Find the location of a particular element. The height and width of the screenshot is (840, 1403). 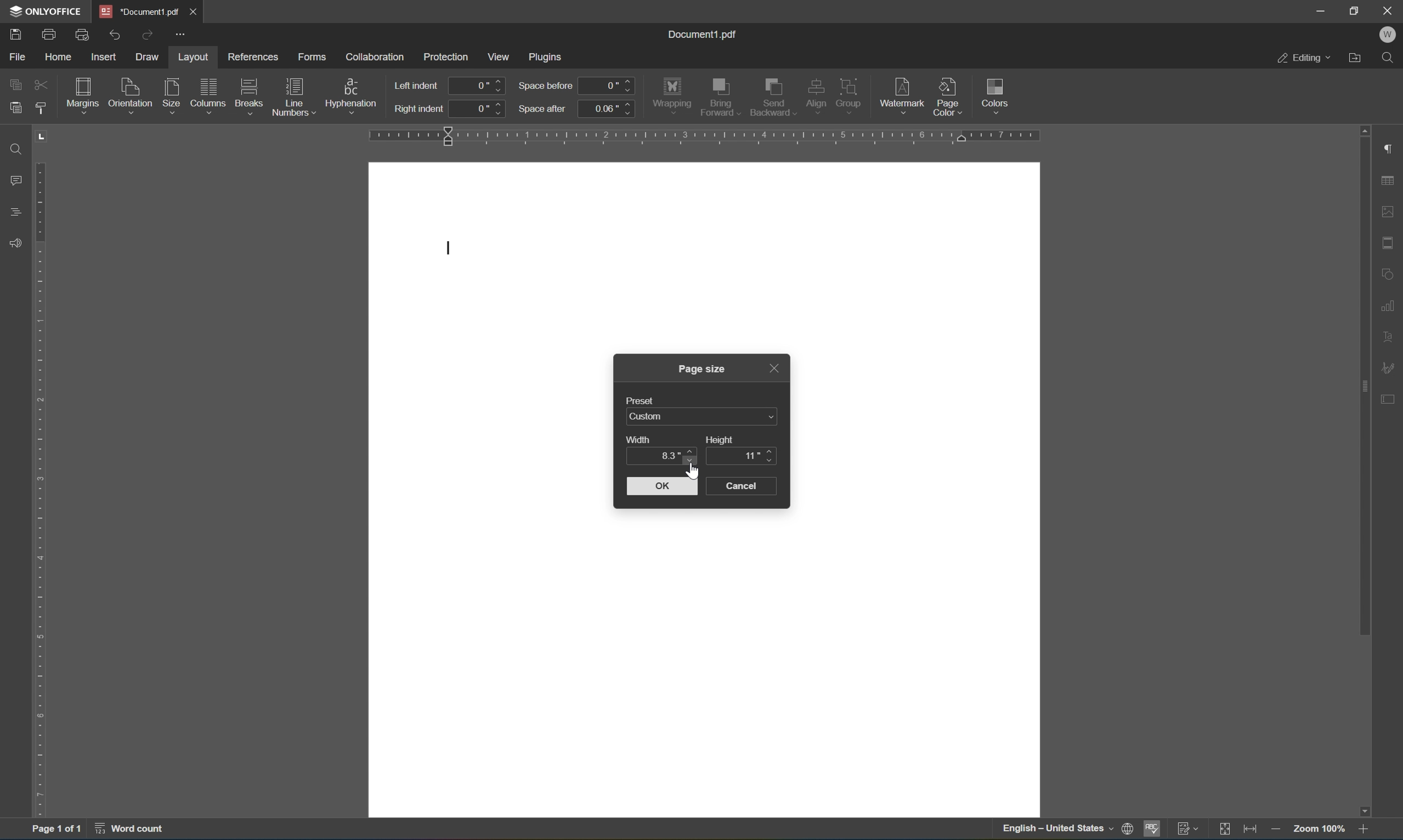

size with active cursor is located at coordinates (170, 93).